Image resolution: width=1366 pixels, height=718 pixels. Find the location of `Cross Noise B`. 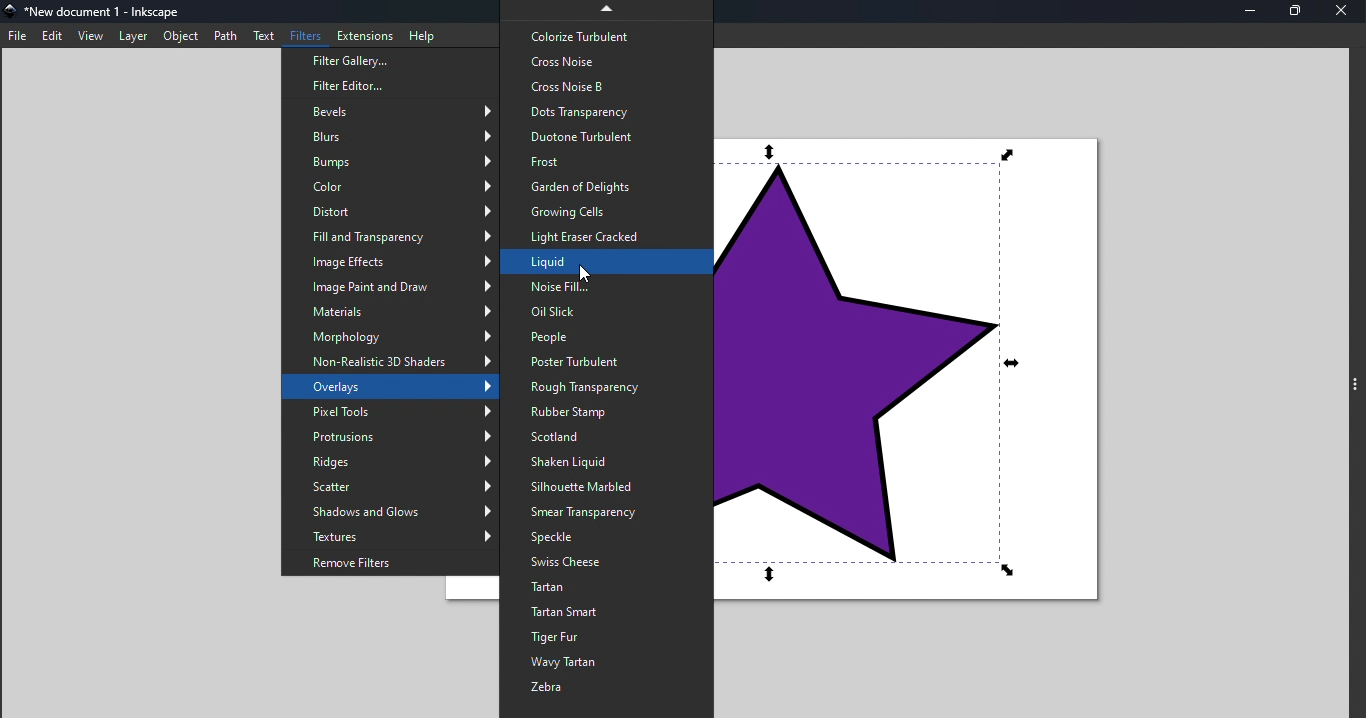

Cross Noise B is located at coordinates (608, 87).